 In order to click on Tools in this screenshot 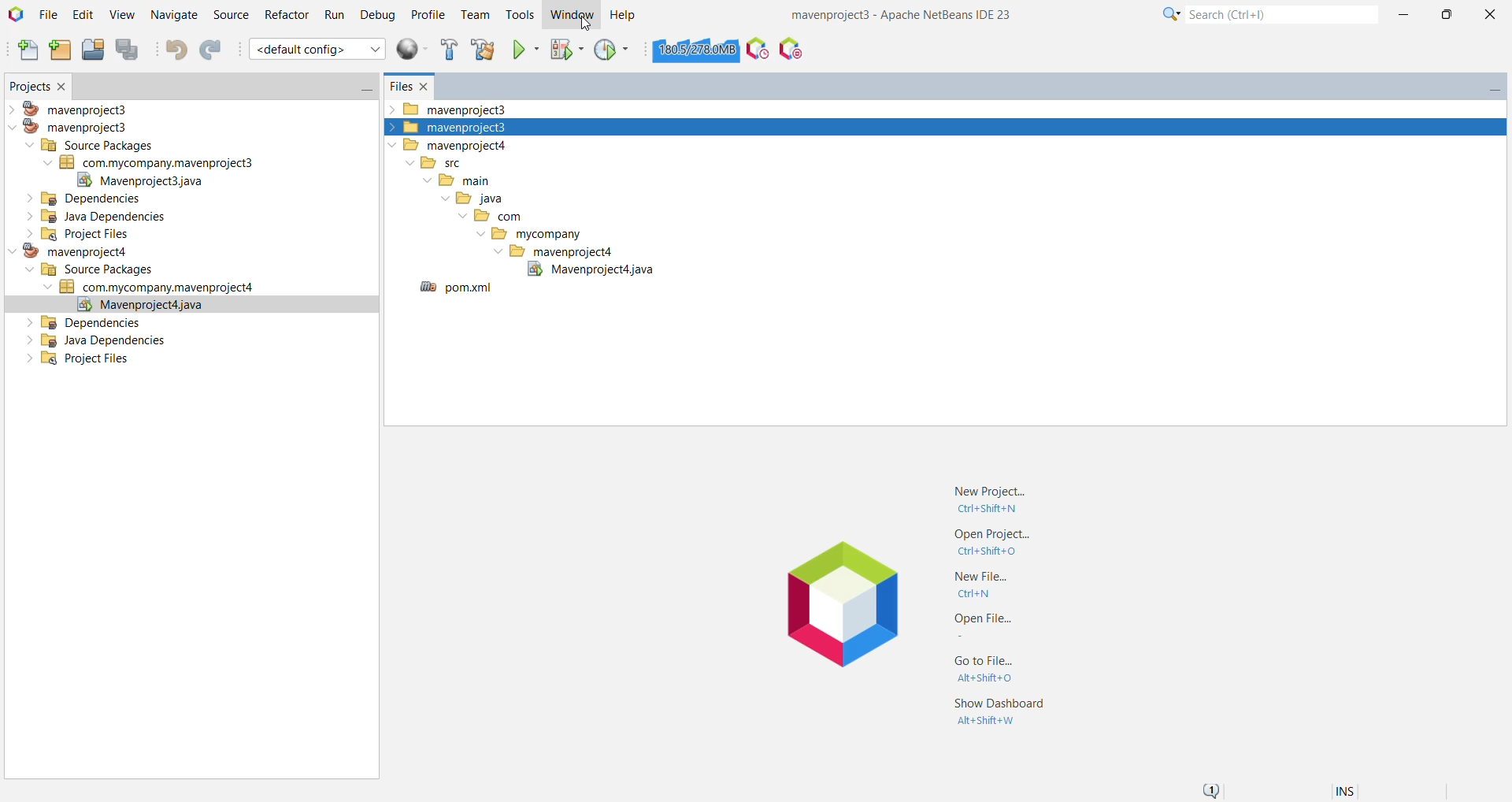, I will do `click(519, 13)`.